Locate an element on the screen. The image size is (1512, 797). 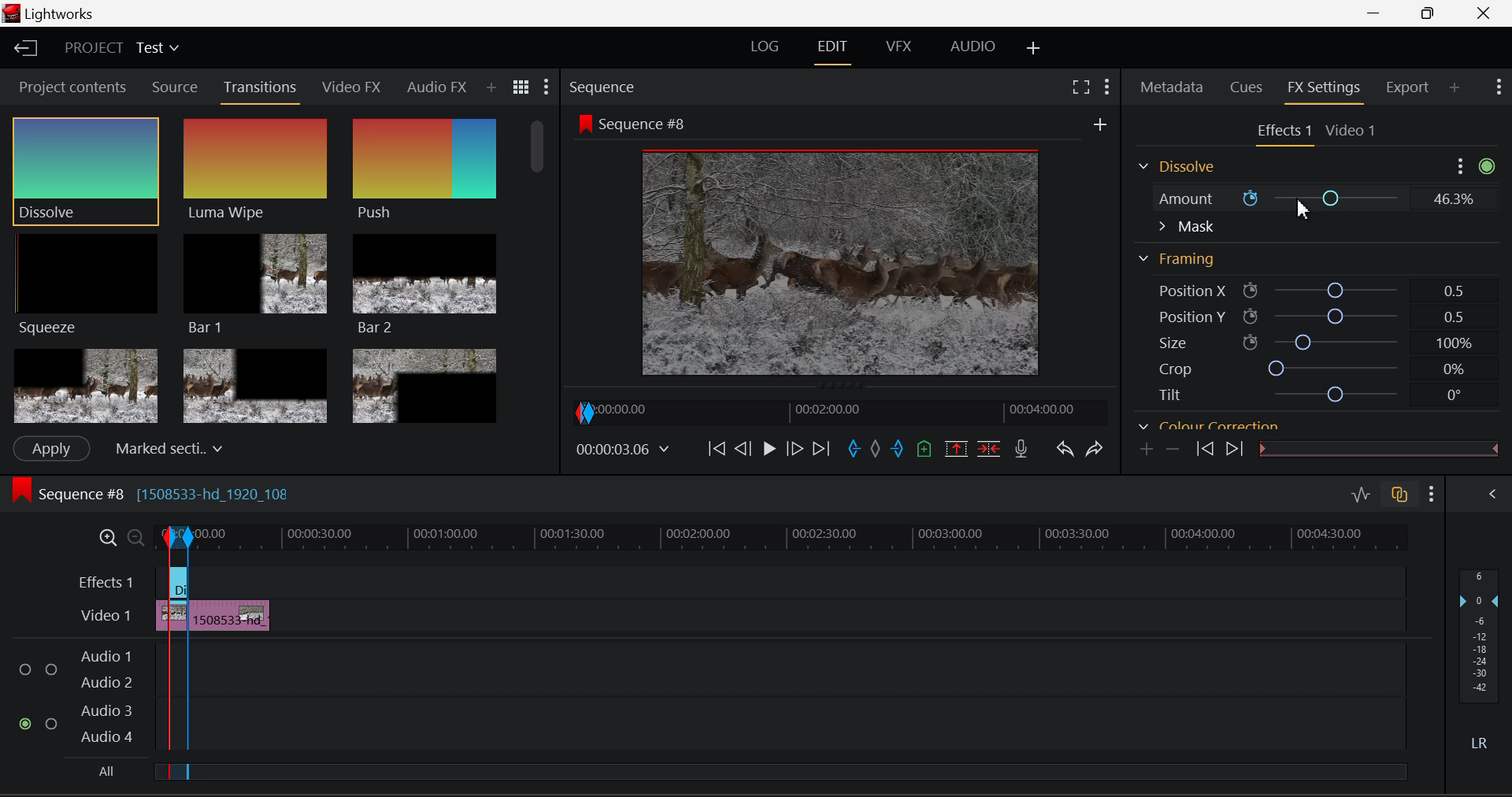
Timeline Zoom In is located at coordinates (104, 537).